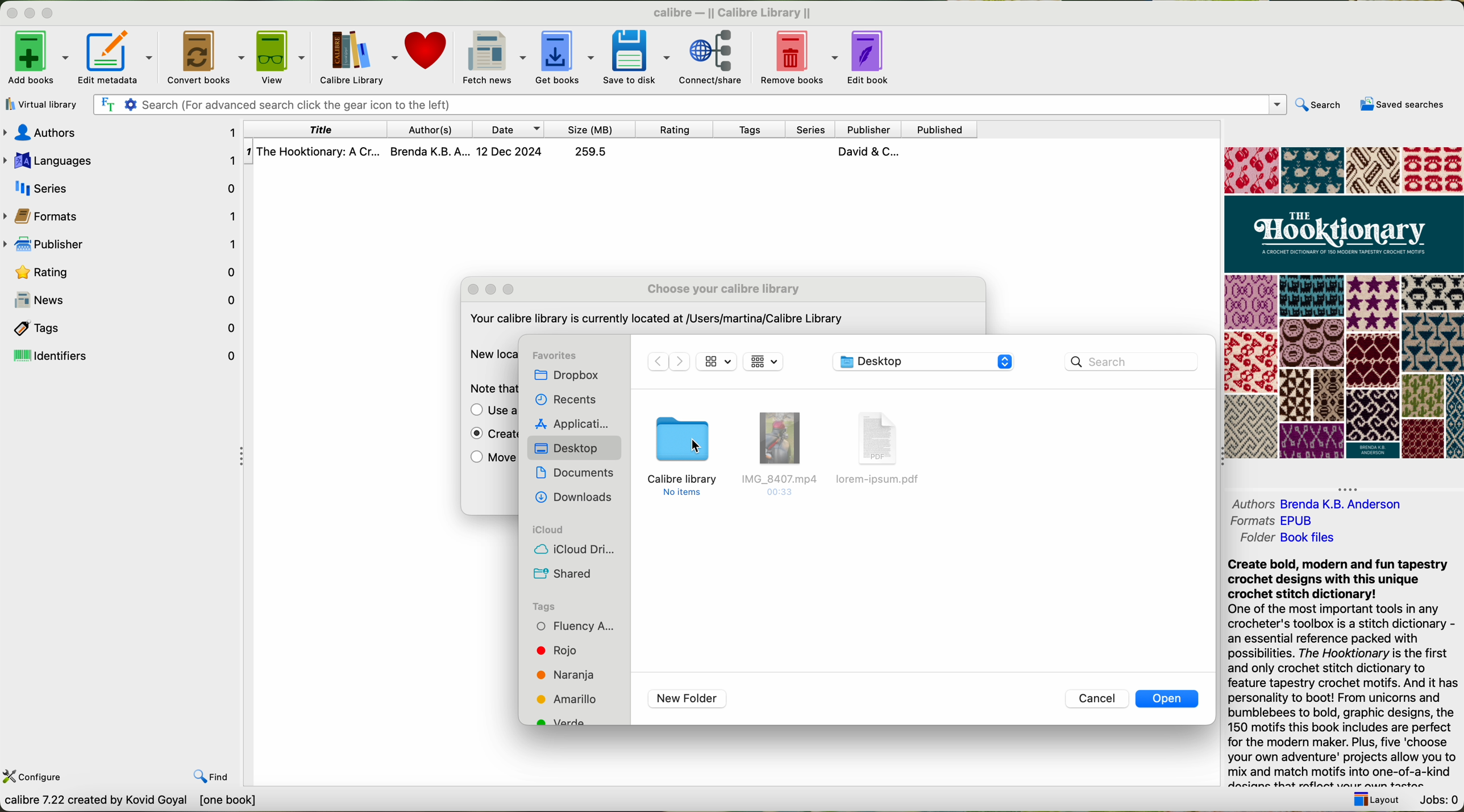 The height and width of the screenshot is (812, 1464). What do you see at coordinates (1270, 521) in the screenshot?
I see `formats EPUB` at bounding box center [1270, 521].